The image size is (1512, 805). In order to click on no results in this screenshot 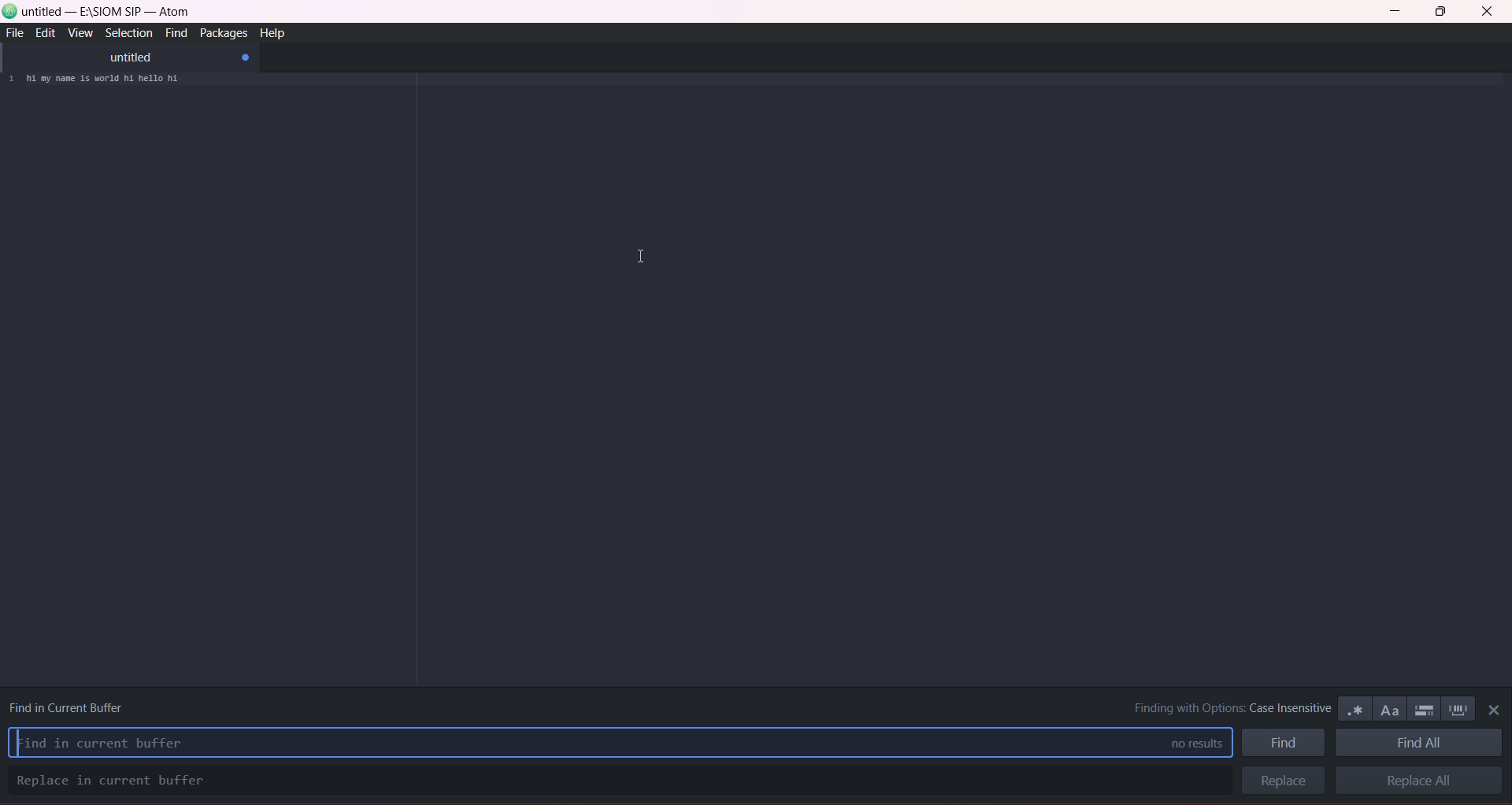, I will do `click(1187, 743)`.